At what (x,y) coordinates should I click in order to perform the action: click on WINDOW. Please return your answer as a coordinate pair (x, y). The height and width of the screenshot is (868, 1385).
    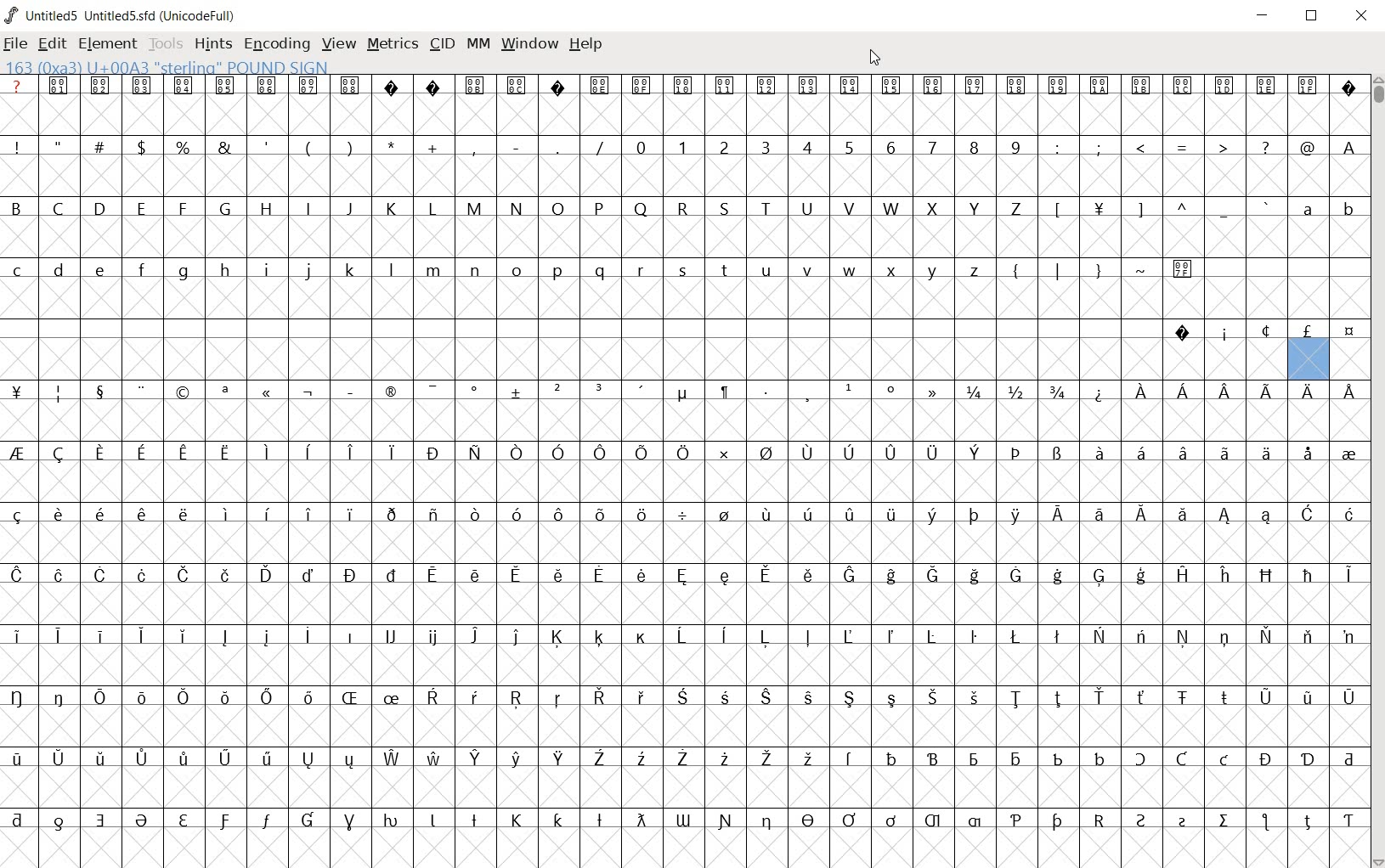
    Looking at the image, I should click on (529, 46).